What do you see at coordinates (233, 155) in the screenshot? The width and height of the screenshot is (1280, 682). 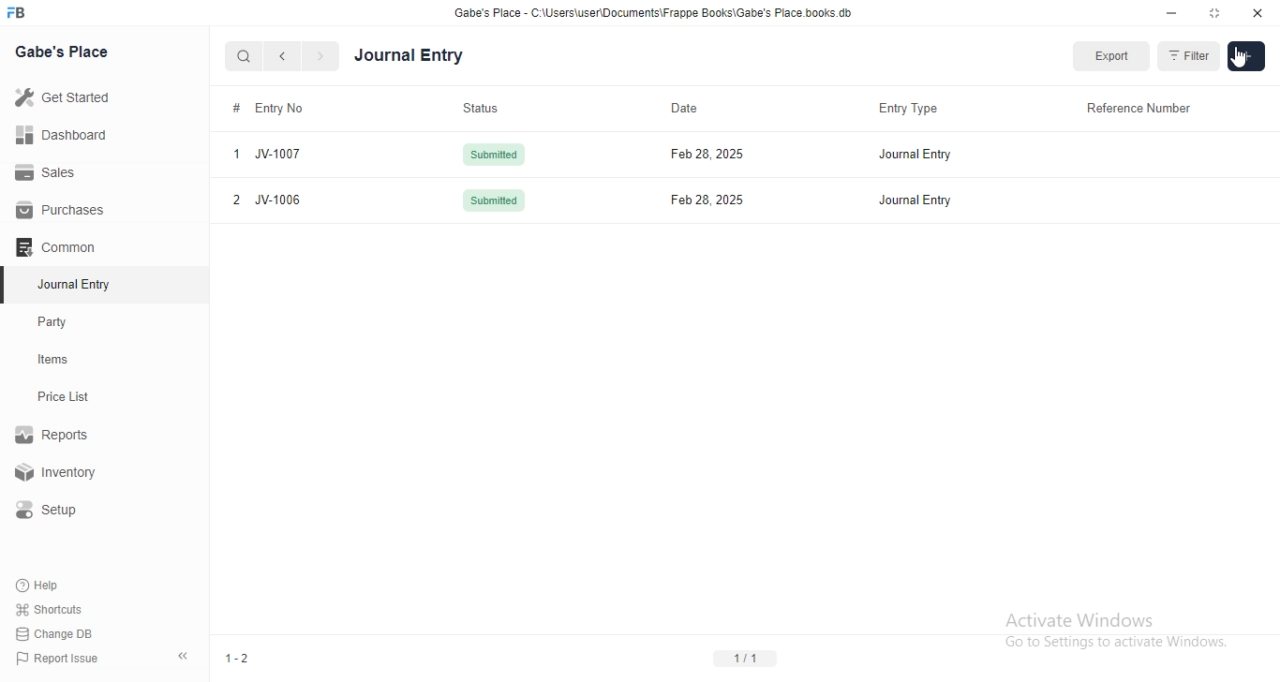 I see `1` at bounding box center [233, 155].